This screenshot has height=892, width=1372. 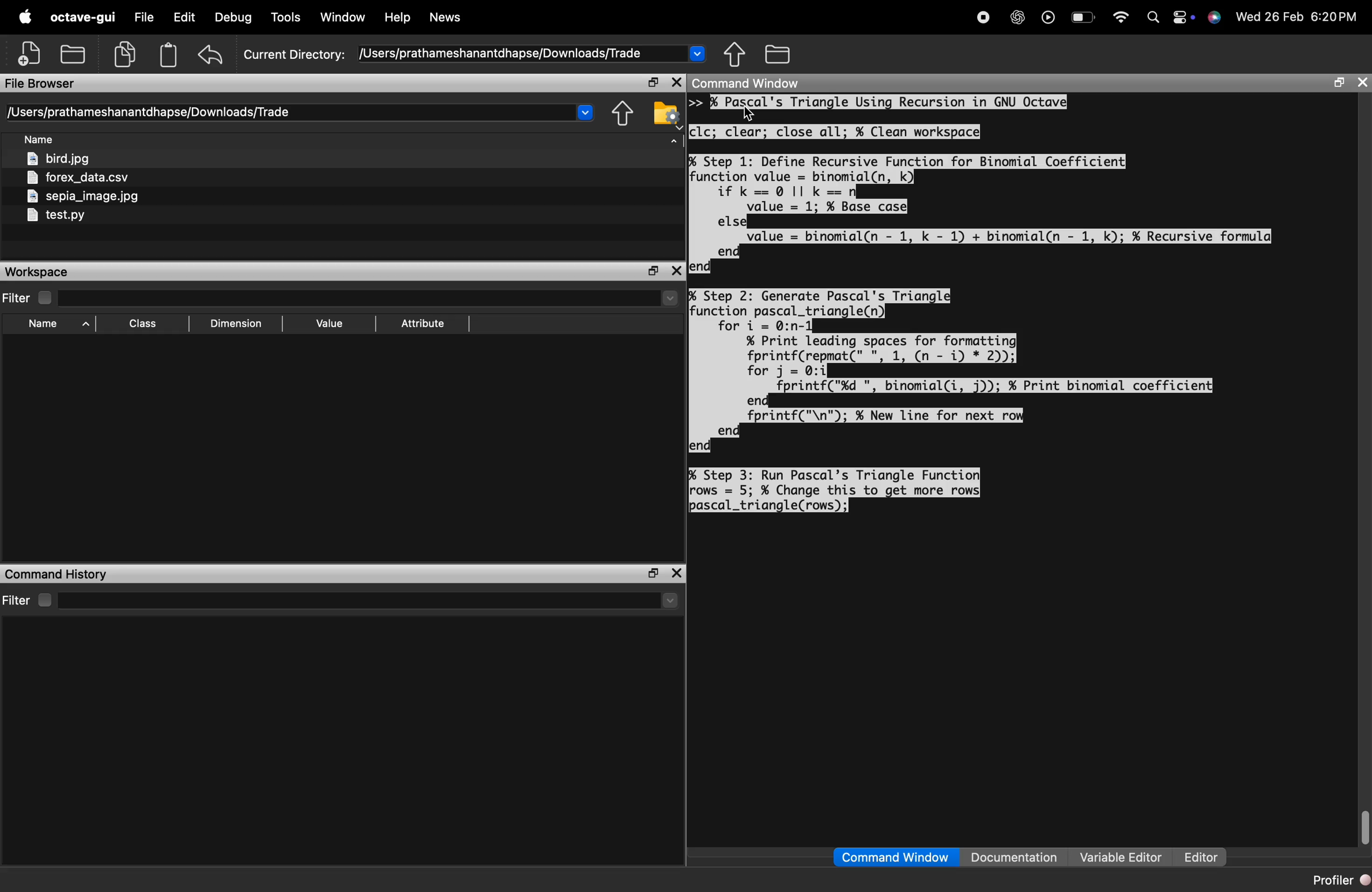 I want to click on scroll bar, so click(x=1363, y=826).